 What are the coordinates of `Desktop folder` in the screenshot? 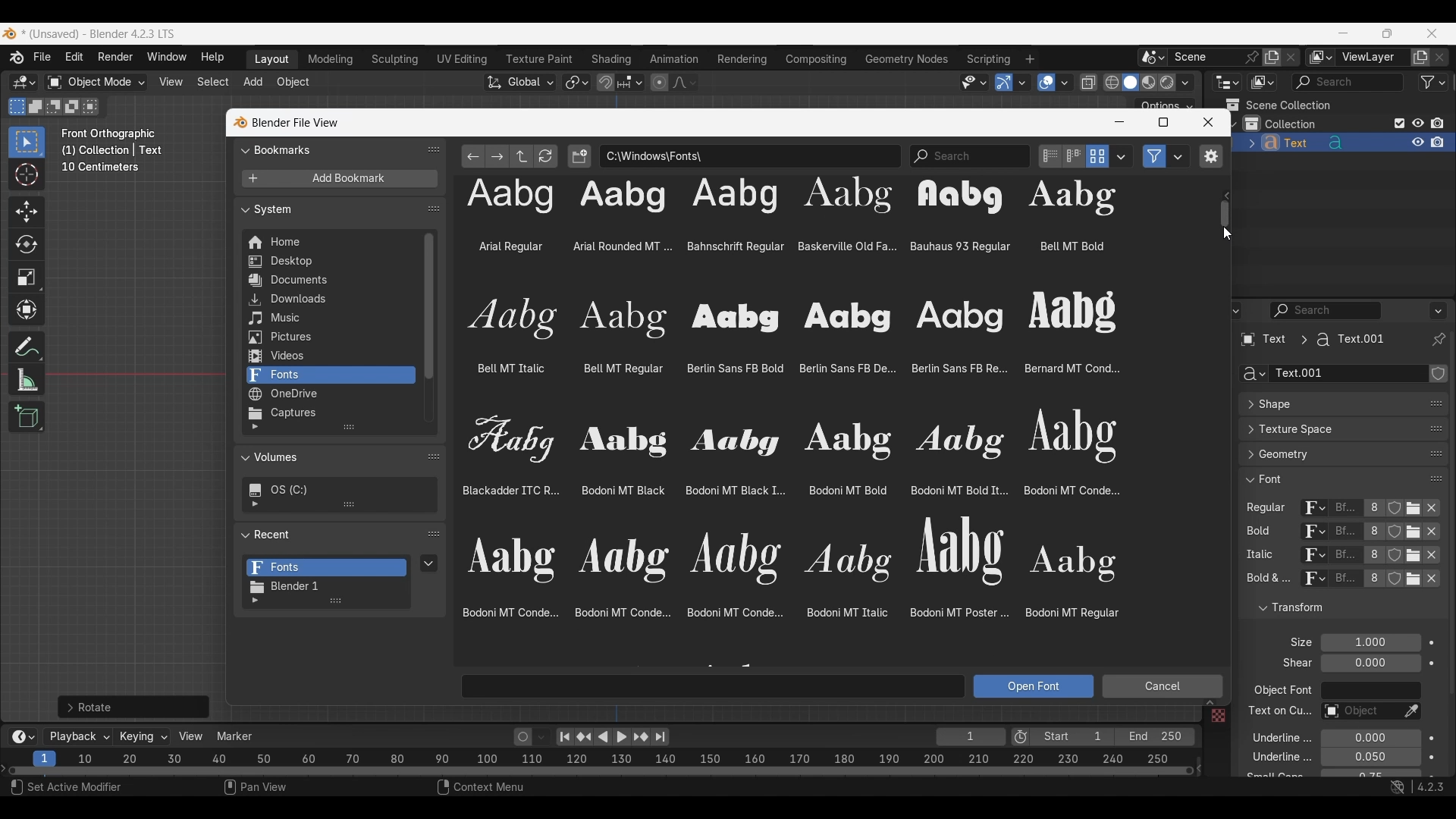 It's located at (329, 262).